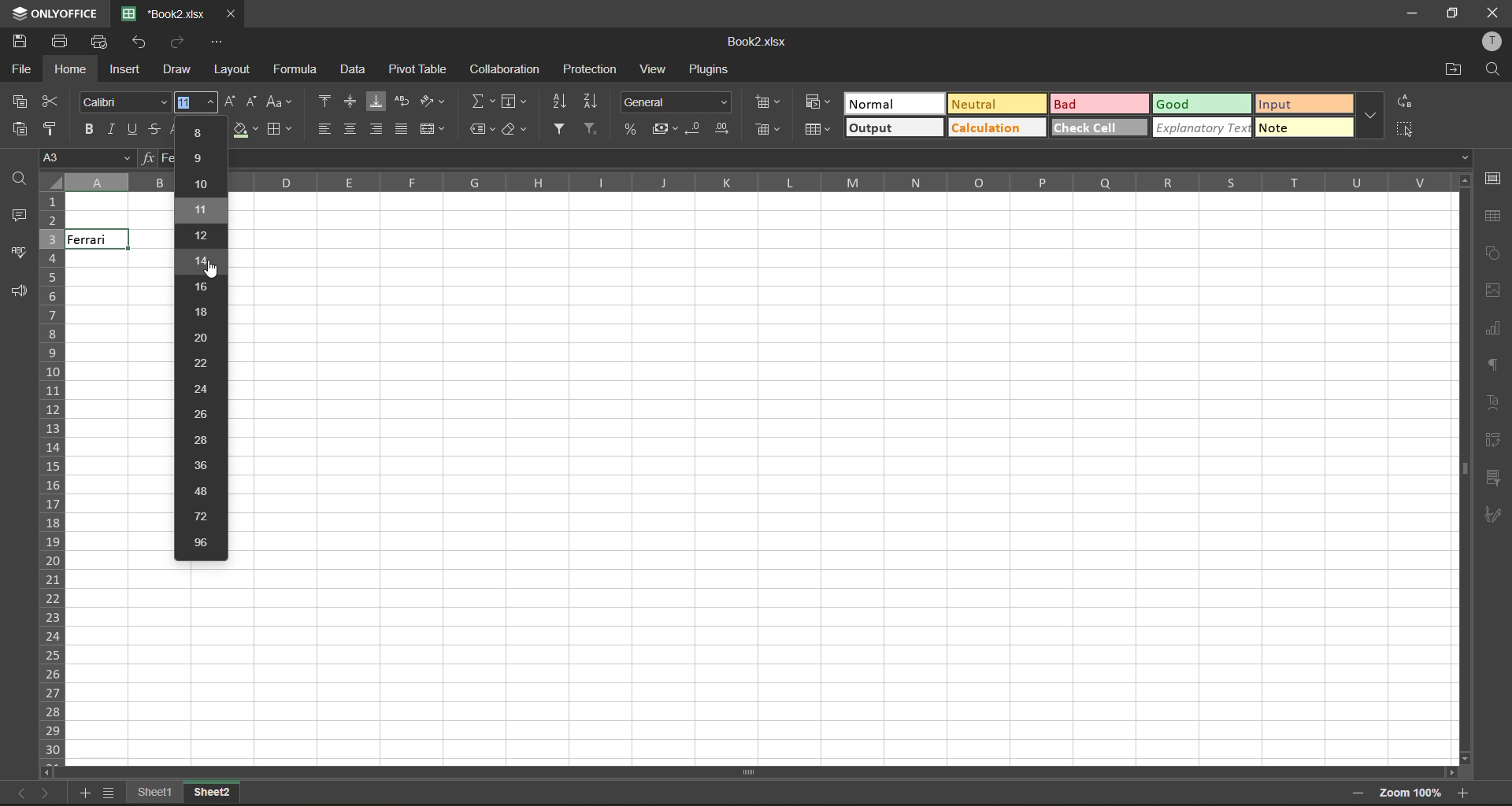 This screenshot has height=806, width=1512. I want to click on underline, so click(137, 130).